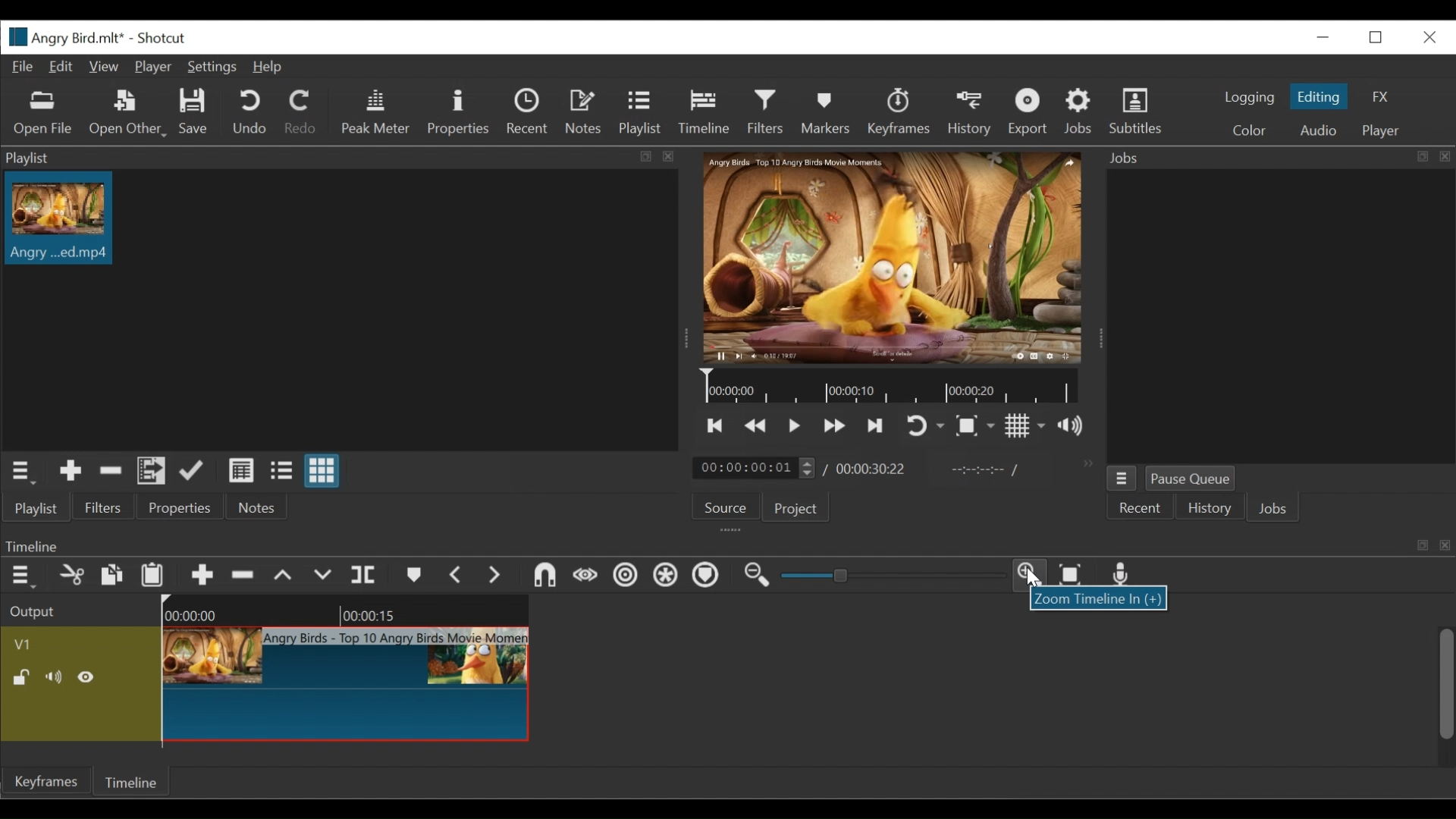 The image size is (1456, 819). Describe the element at coordinates (715, 425) in the screenshot. I see `Skip to the previous point` at that location.